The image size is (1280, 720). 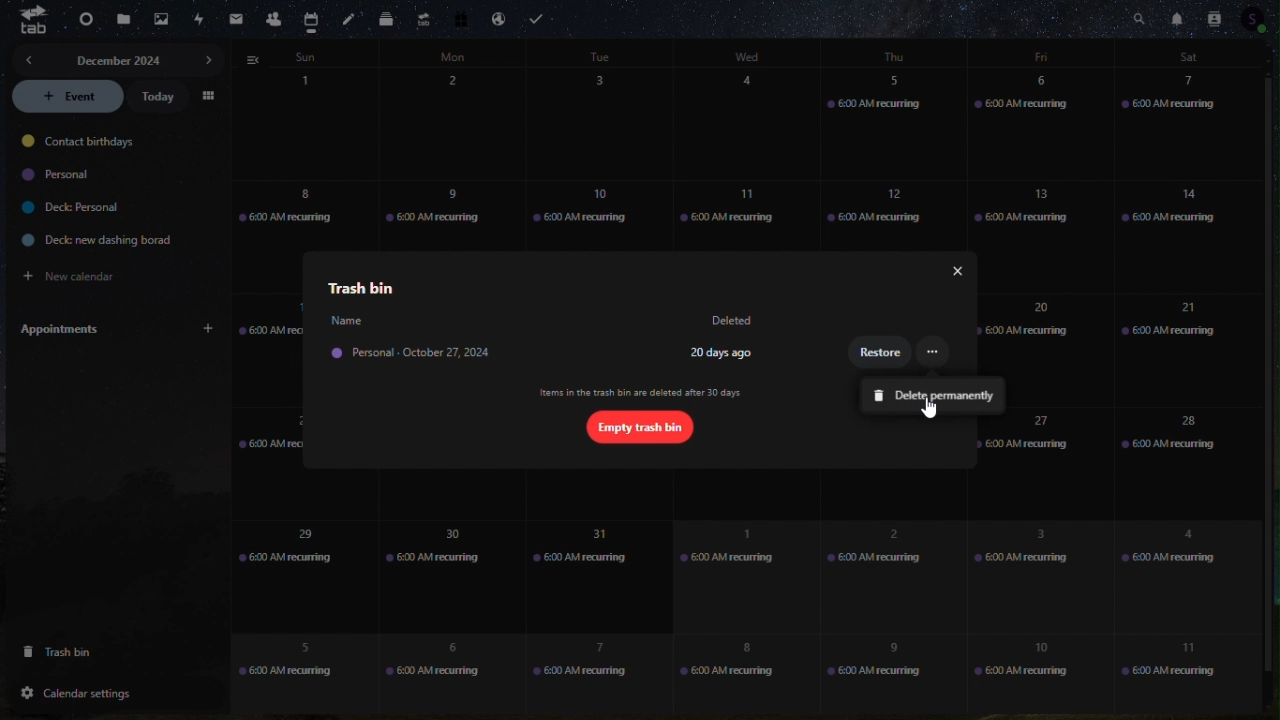 What do you see at coordinates (356, 287) in the screenshot?
I see `trash bin` at bounding box center [356, 287].